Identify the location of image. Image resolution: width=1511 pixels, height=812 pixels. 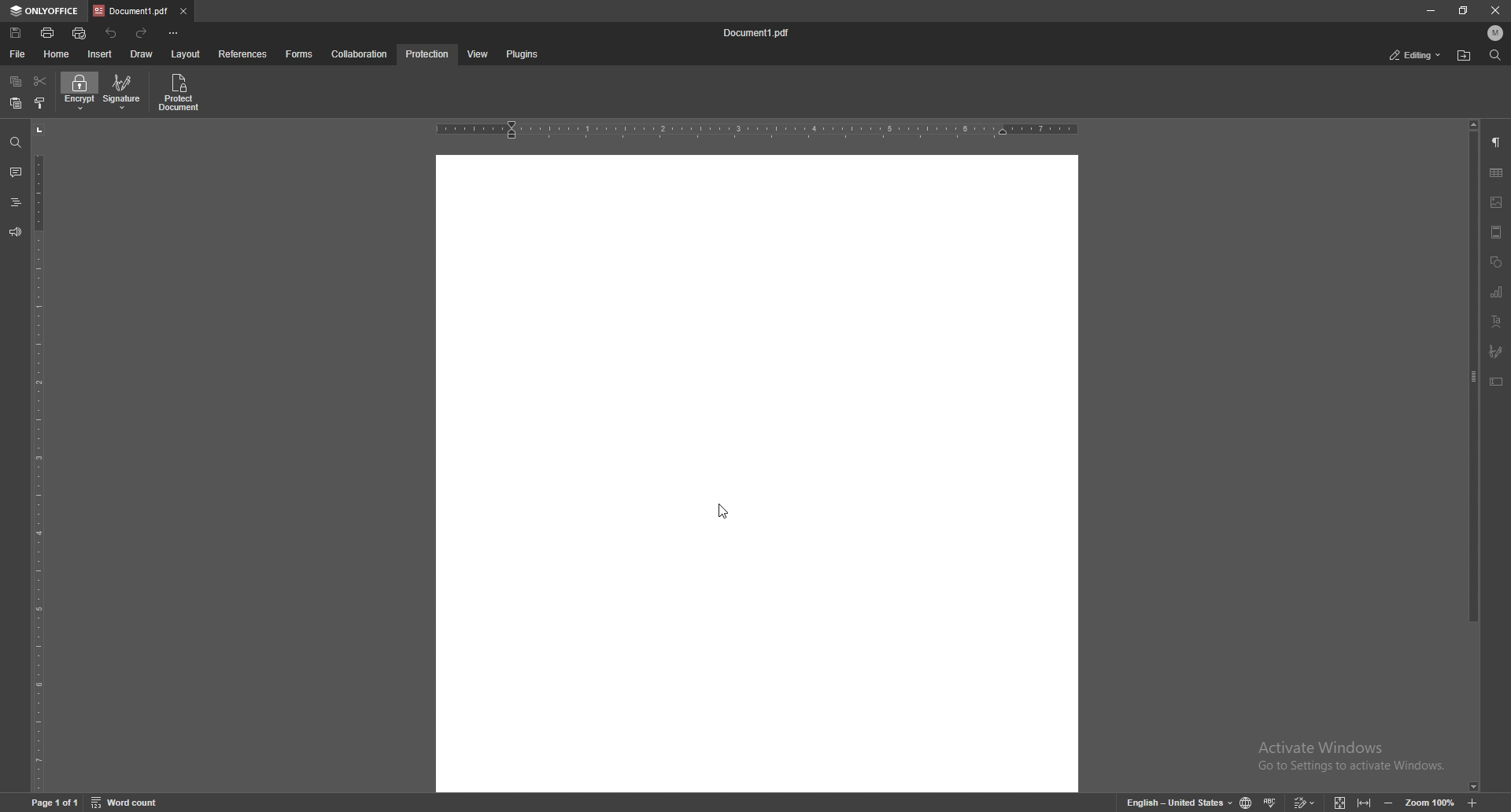
(1497, 202).